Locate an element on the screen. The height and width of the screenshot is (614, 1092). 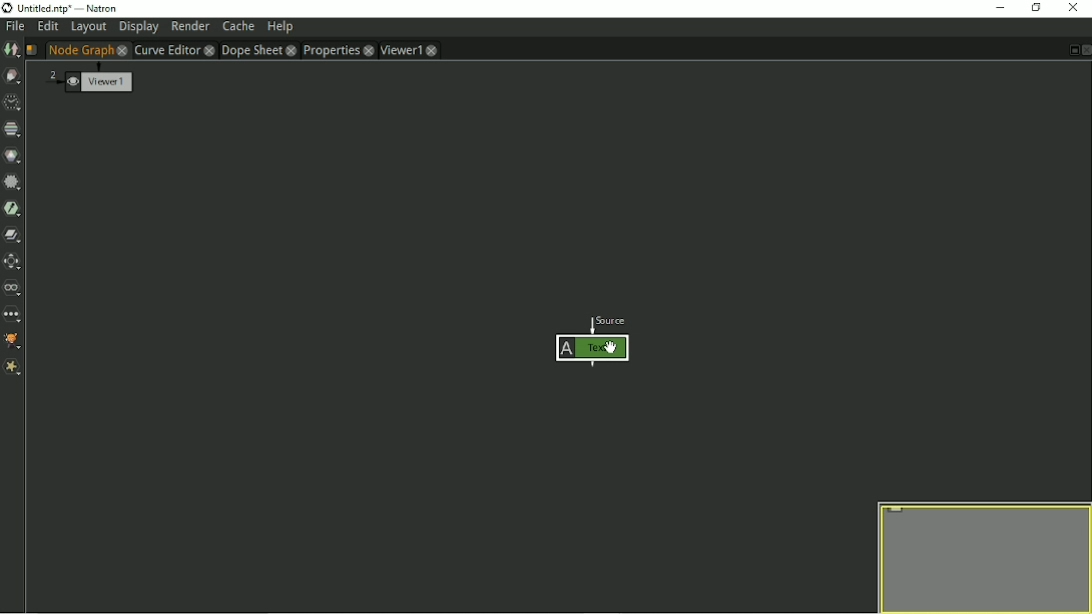
Viewer1 is located at coordinates (88, 79).